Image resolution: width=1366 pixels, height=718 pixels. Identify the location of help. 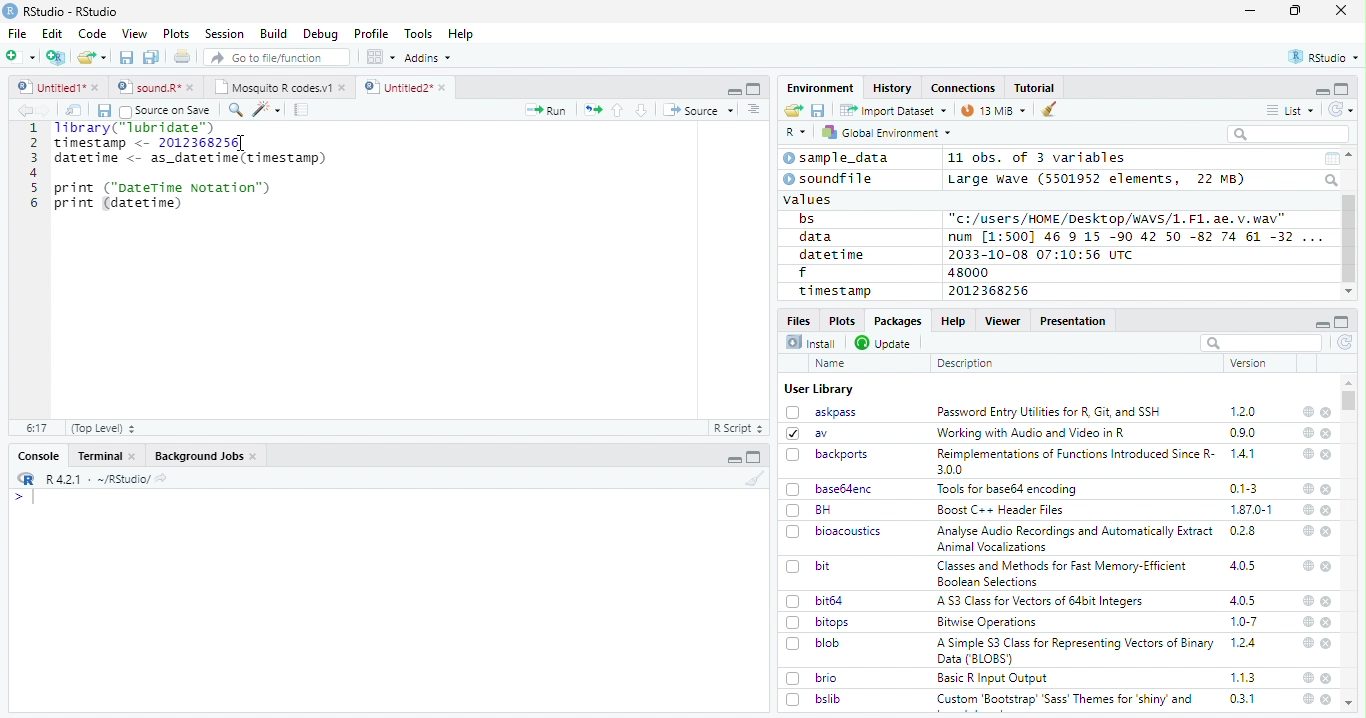
(1308, 489).